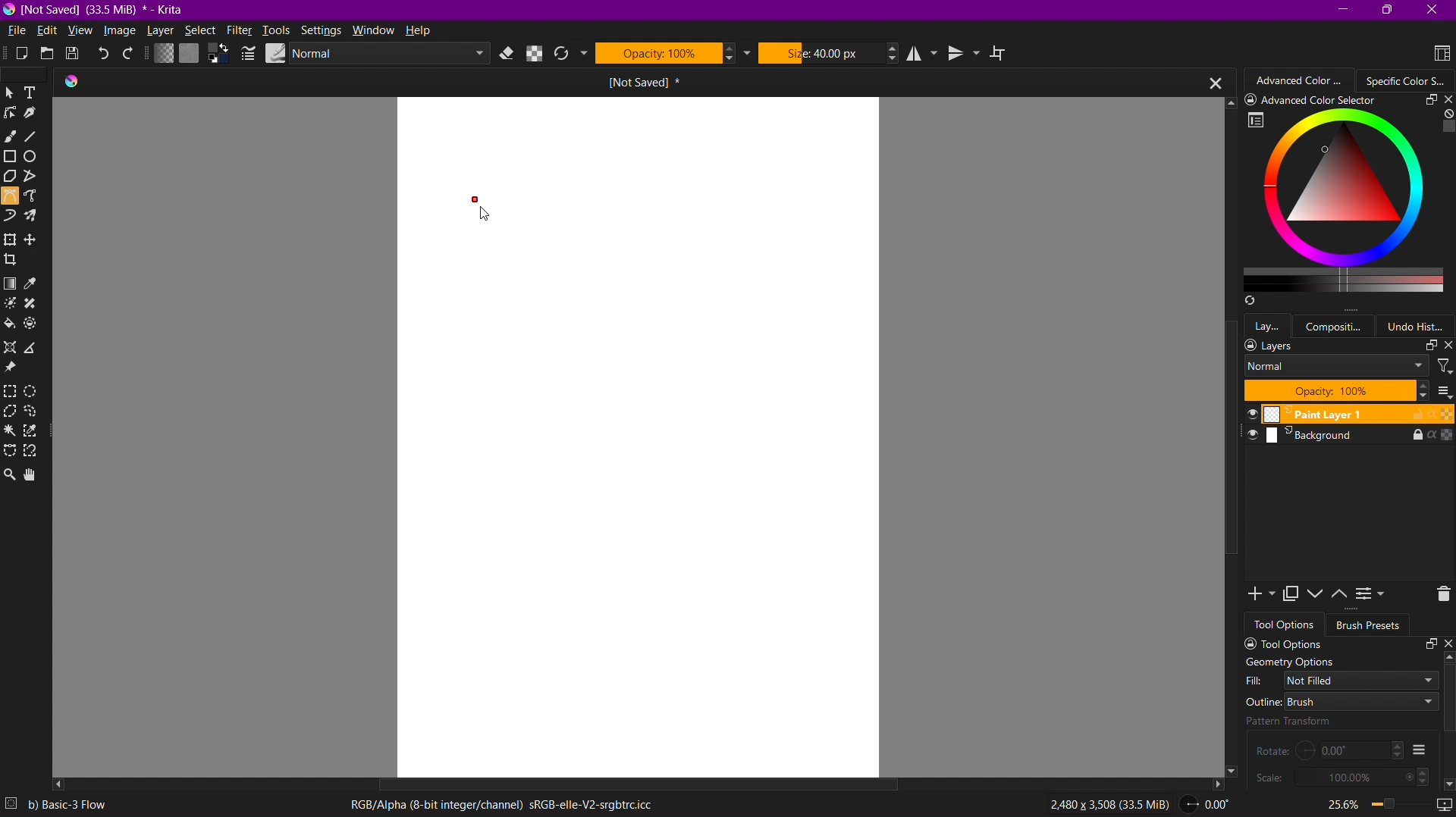 Image resolution: width=1456 pixels, height=817 pixels. I want to click on Multibrush Tool, so click(36, 218).